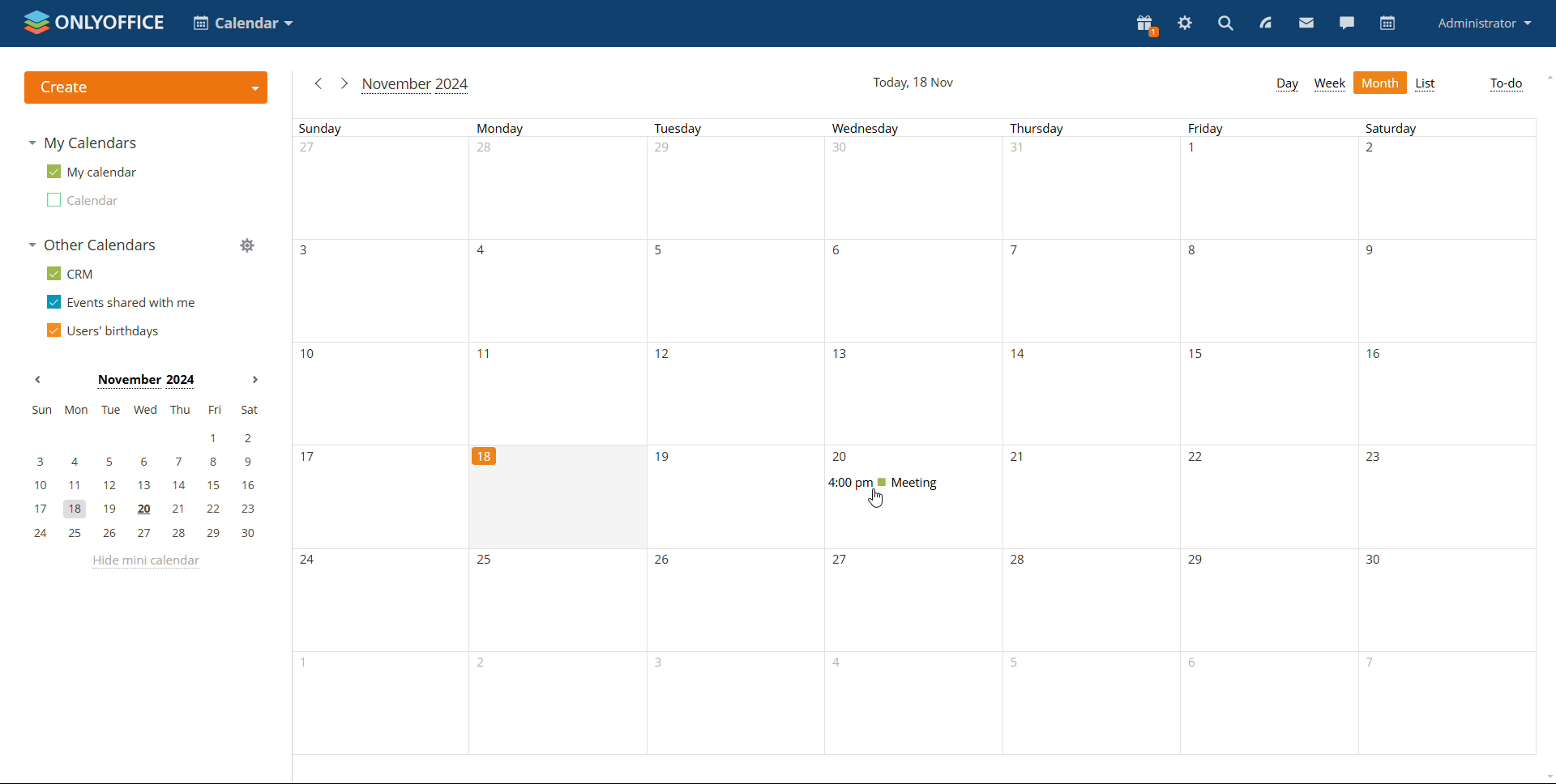 The image size is (1556, 784). I want to click on other calendars, so click(92, 245).